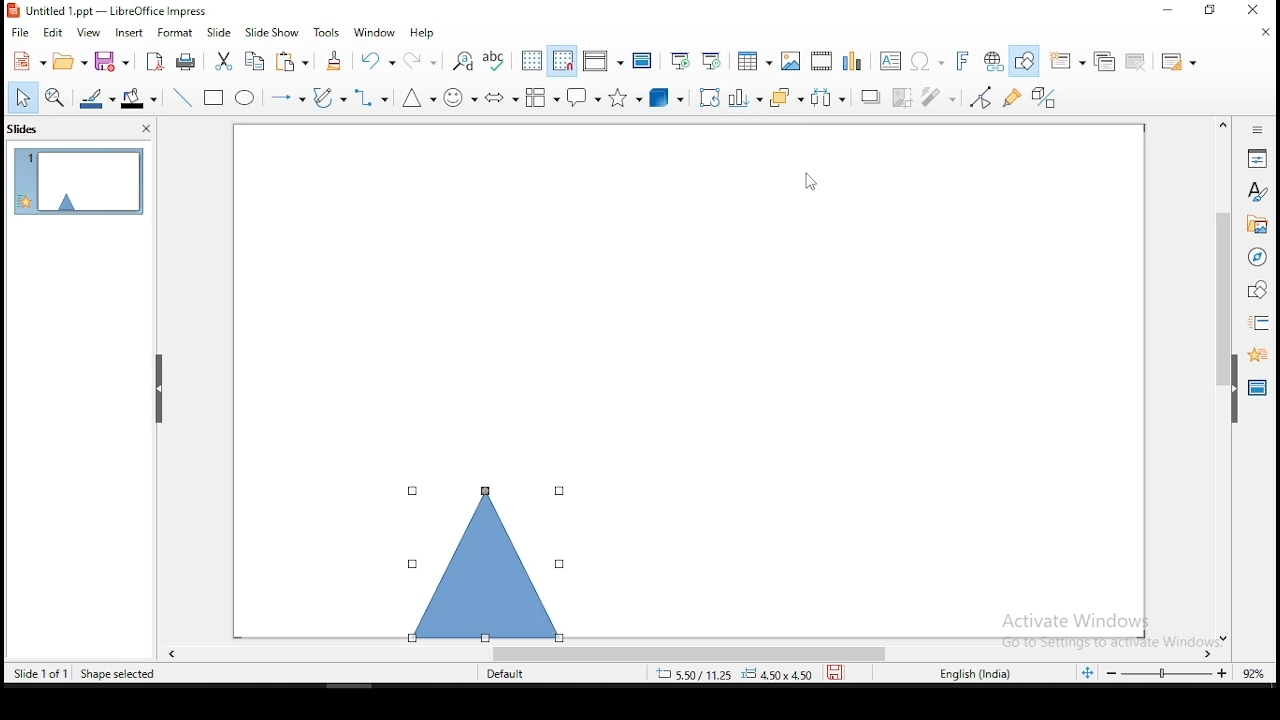 The width and height of the screenshot is (1280, 720). What do you see at coordinates (375, 33) in the screenshot?
I see `window` at bounding box center [375, 33].